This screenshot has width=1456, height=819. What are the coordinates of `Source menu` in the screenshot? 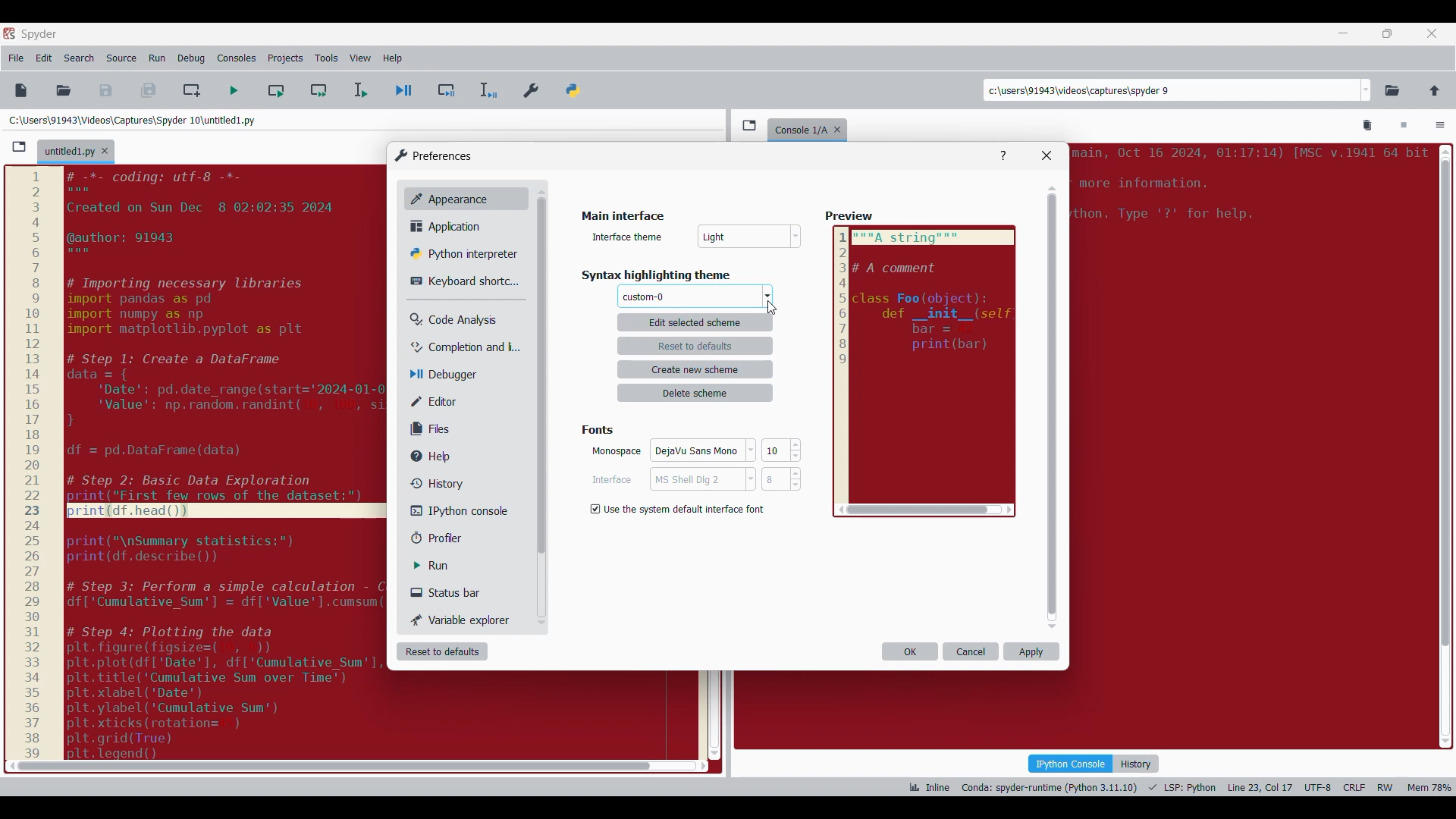 It's located at (121, 58).